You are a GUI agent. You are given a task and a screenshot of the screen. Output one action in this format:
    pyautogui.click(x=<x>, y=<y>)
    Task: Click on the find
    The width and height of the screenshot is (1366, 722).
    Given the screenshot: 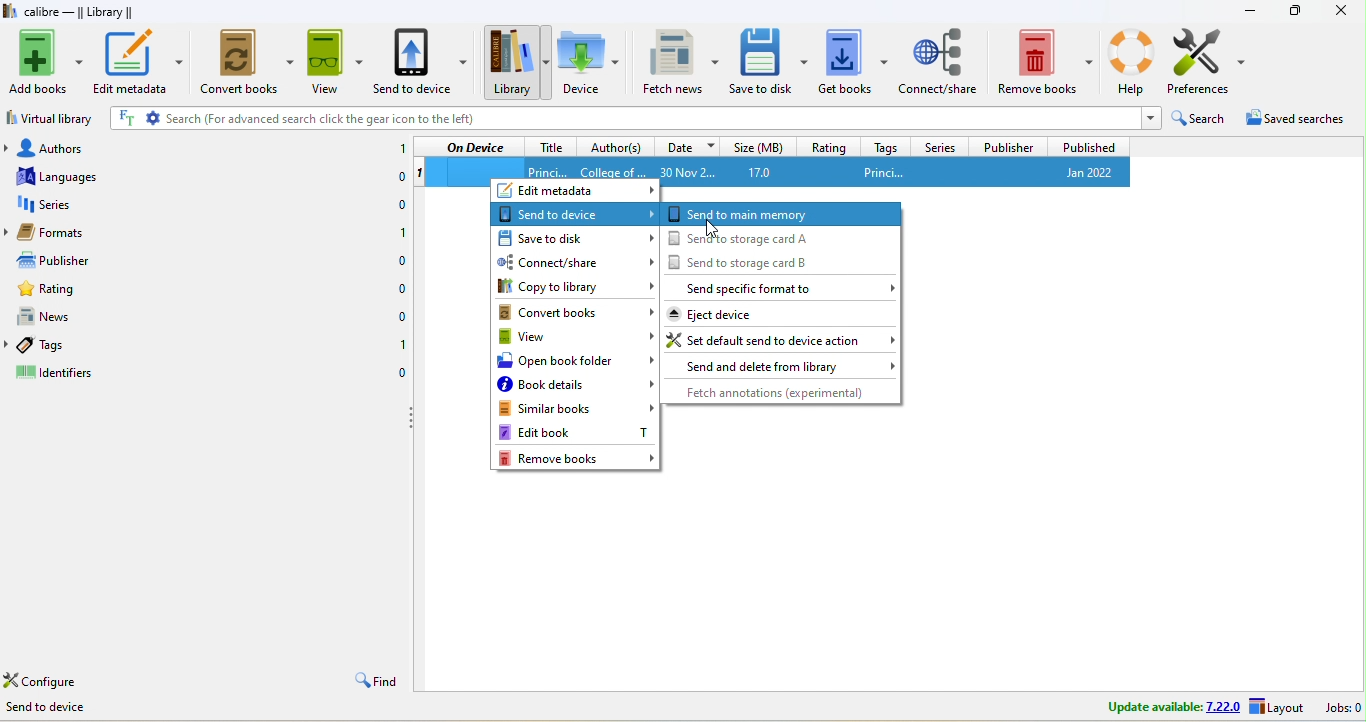 What is the action you would take?
    pyautogui.click(x=374, y=681)
    